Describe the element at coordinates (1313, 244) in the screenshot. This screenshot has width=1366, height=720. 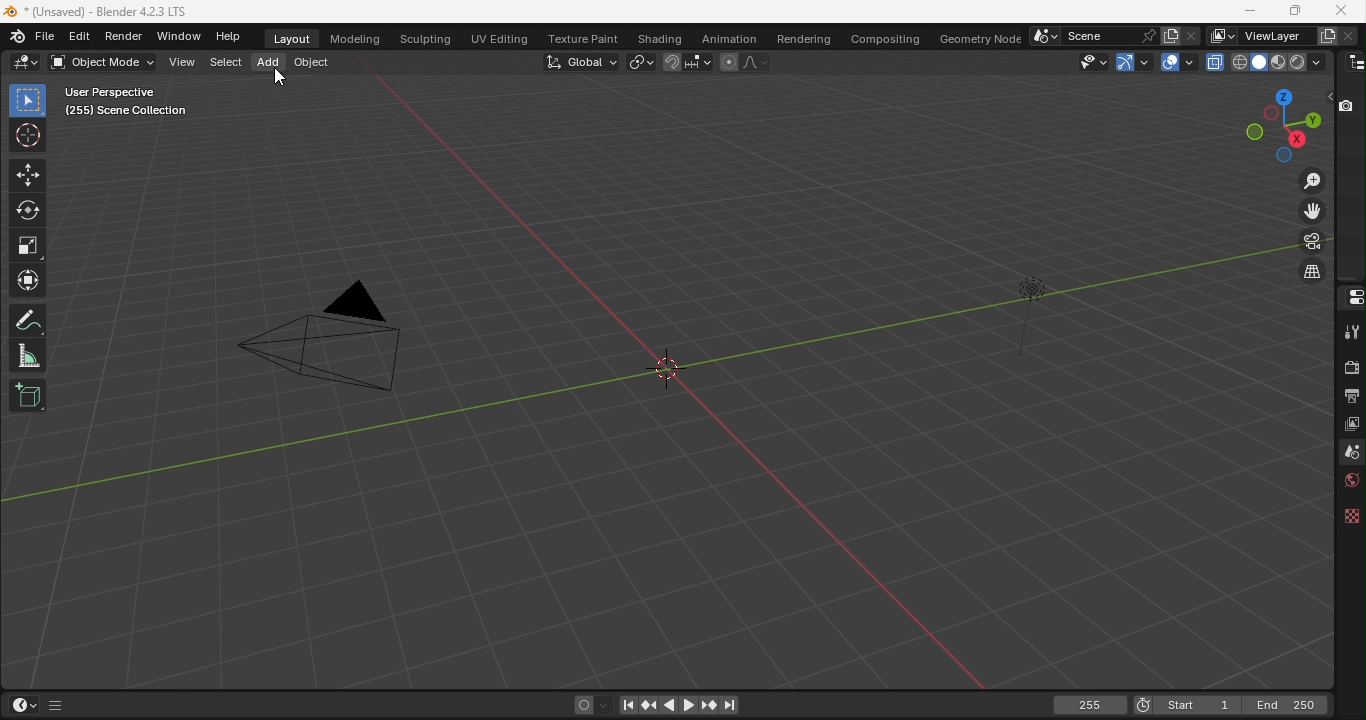
I see `Toggle the camera view` at that location.